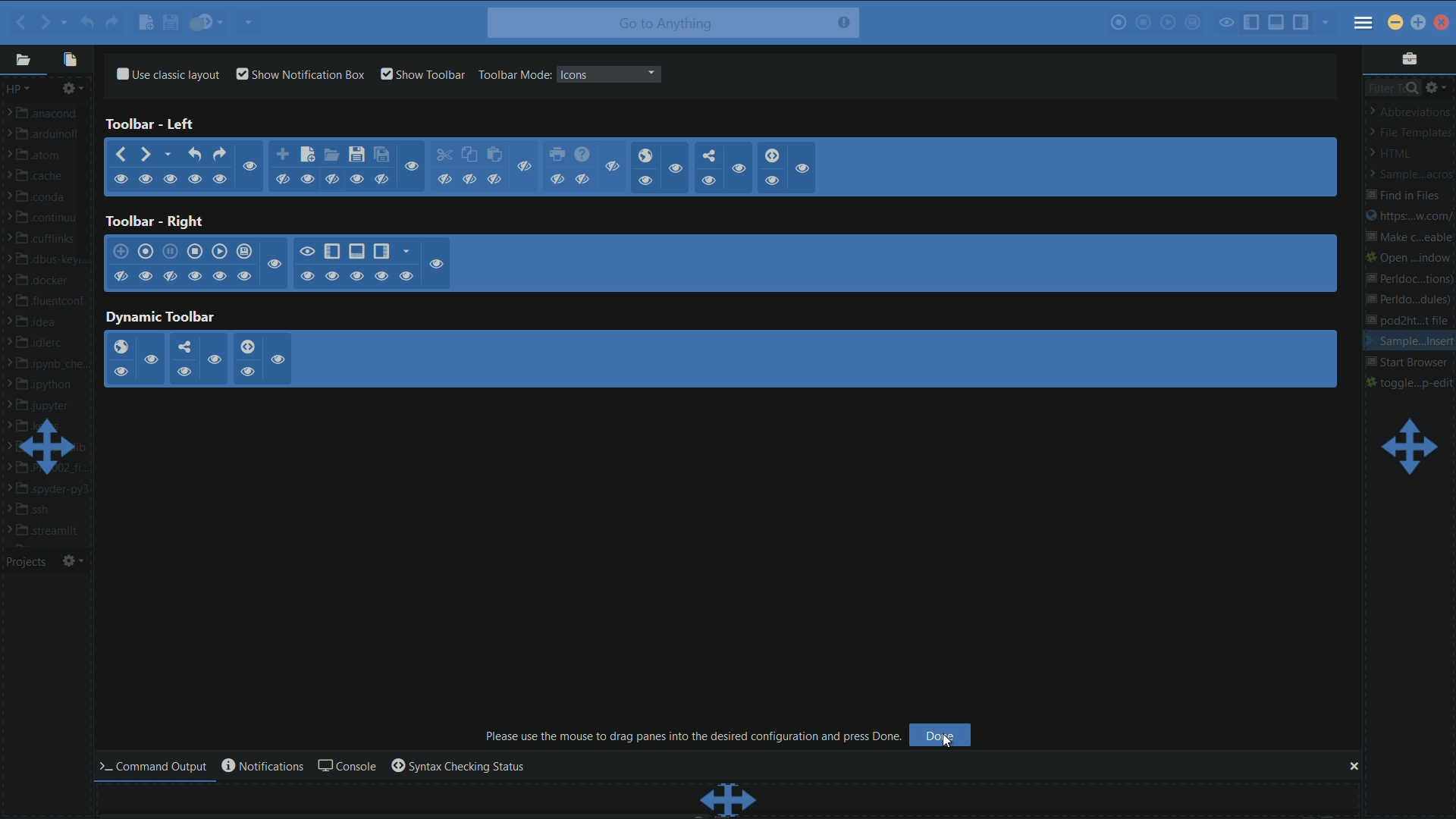 This screenshot has width=1456, height=819. What do you see at coordinates (220, 276) in the screenshot?
I see `hide/show` at bounding box center [220, 276].